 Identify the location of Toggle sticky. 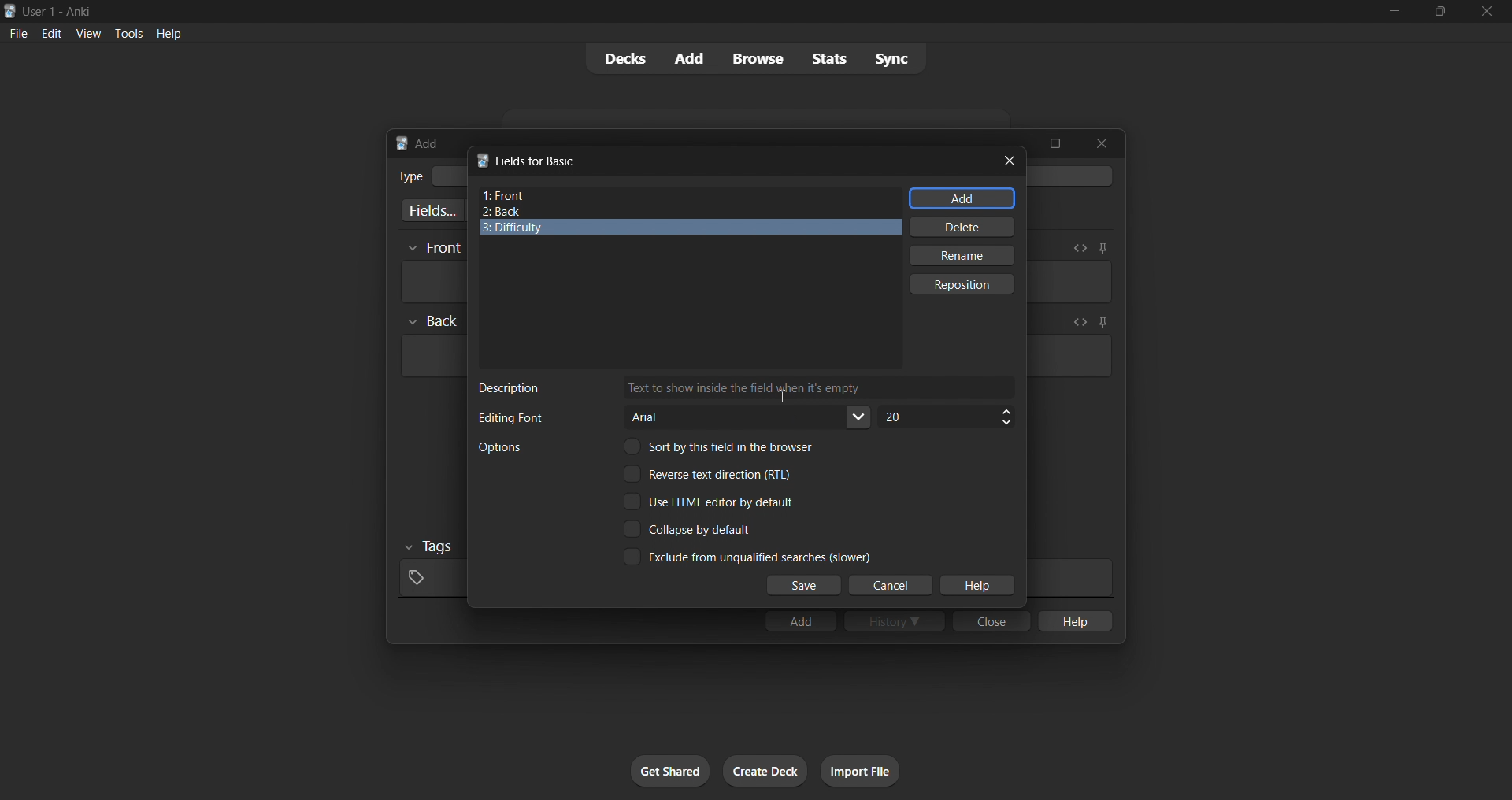
(1100, 324).